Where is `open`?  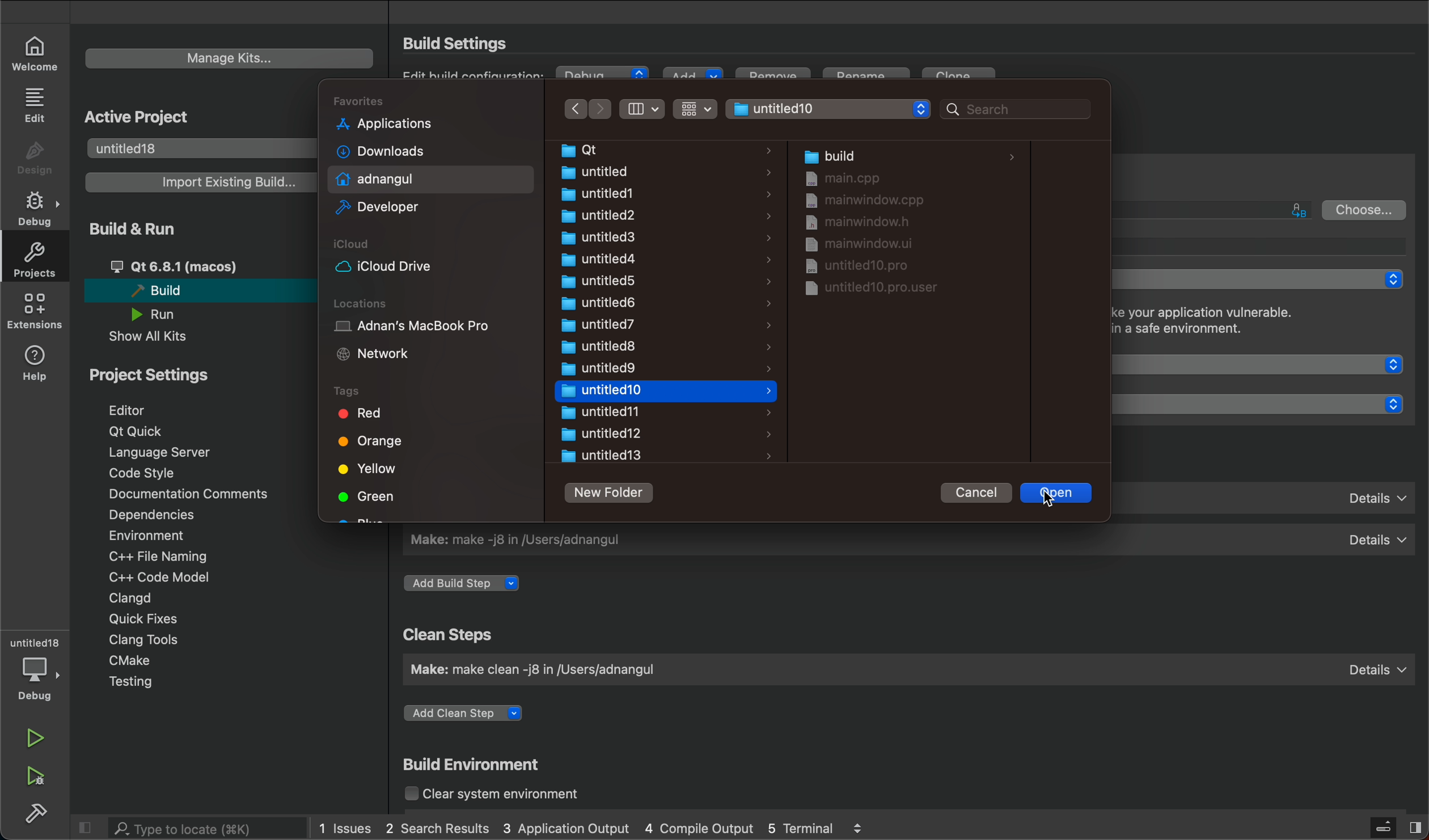
open is located at coordinates (1059, 493).